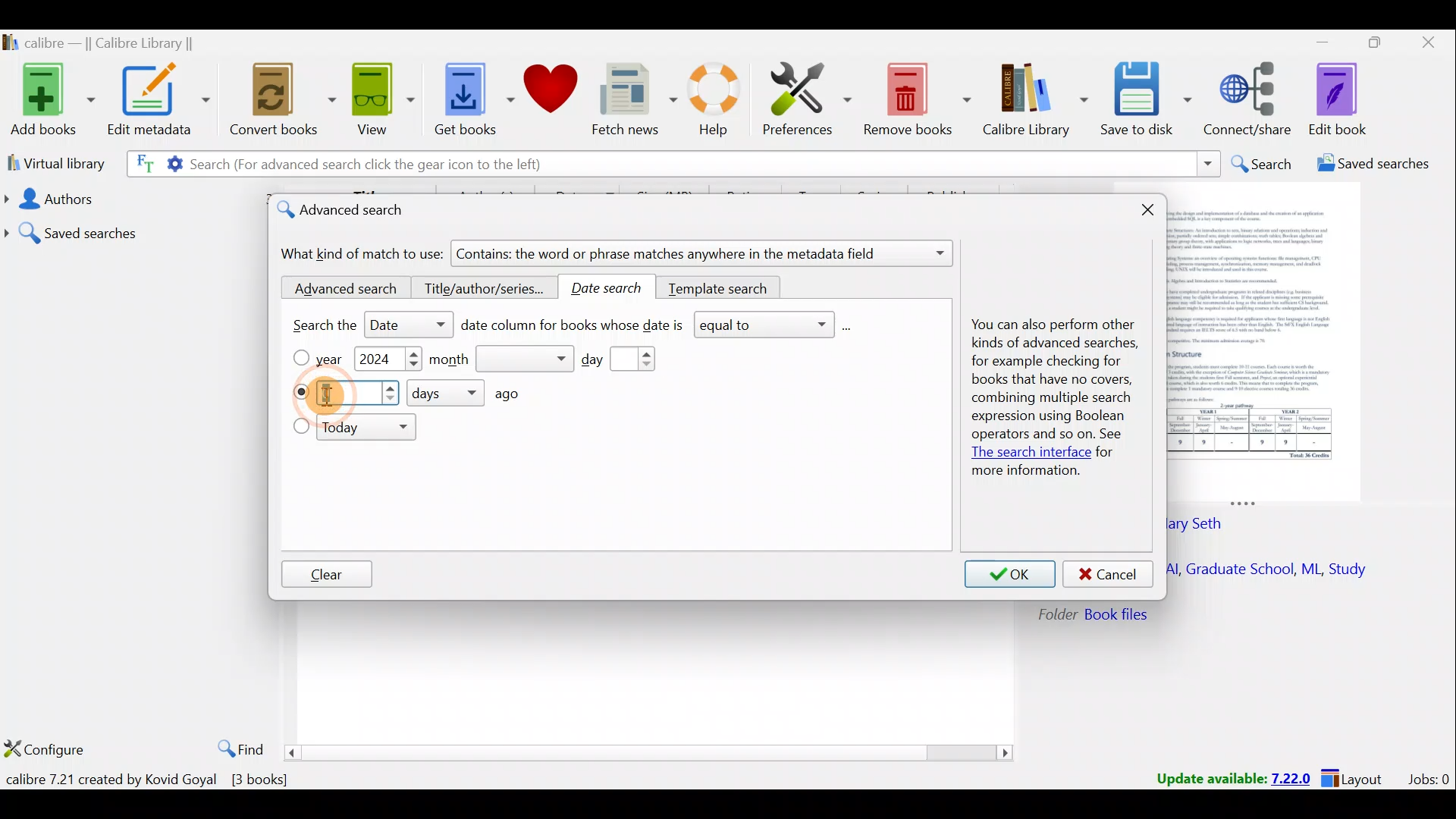 Image resolution: width=1456 pixels, height=819 pixels. Describe the element at coordinates (118, 42) in the screenshot. I see `calibre — || Calibre Library ||` at that location.